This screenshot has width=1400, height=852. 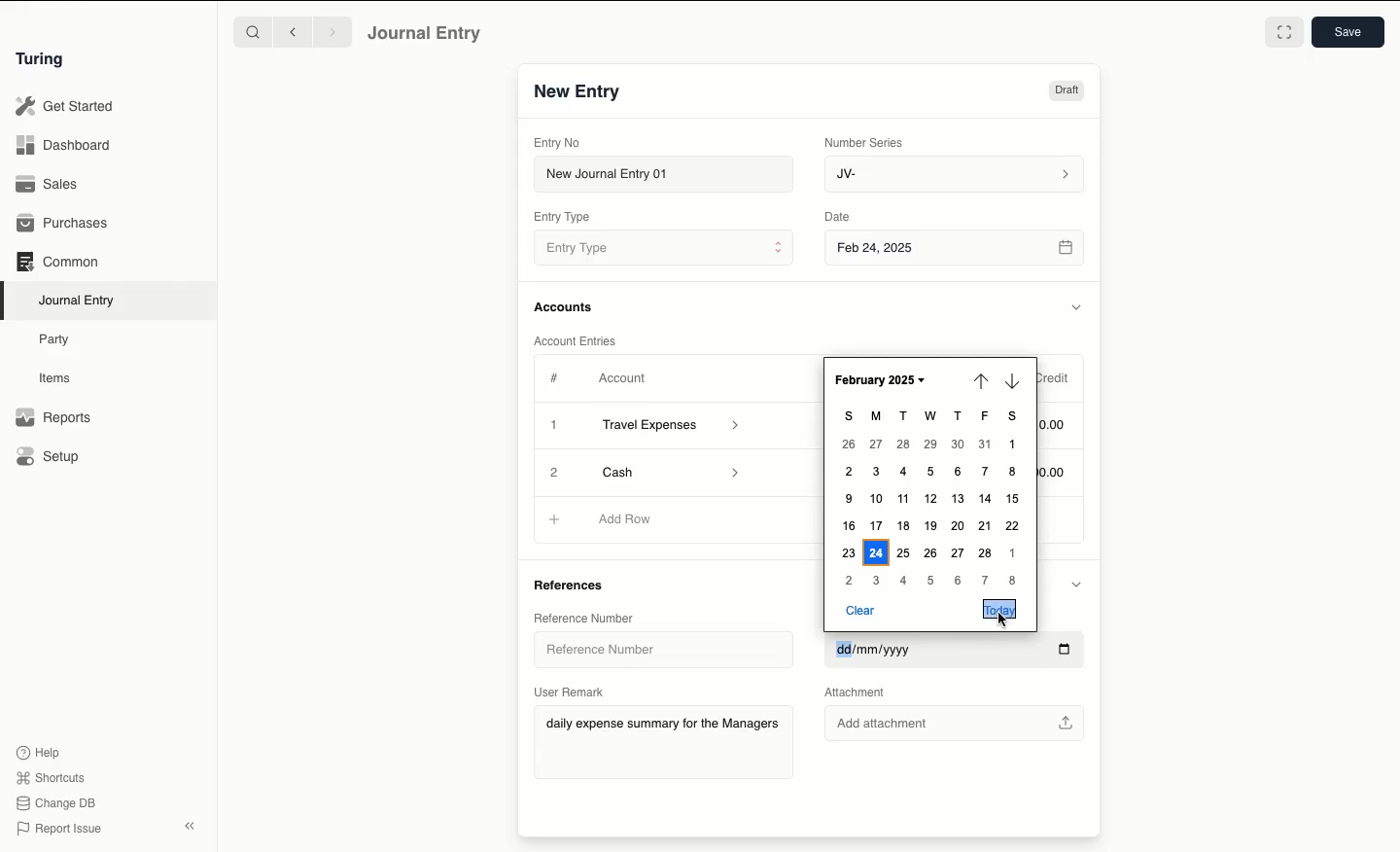 I want to click on Change DB, so click(x=55, y=803).